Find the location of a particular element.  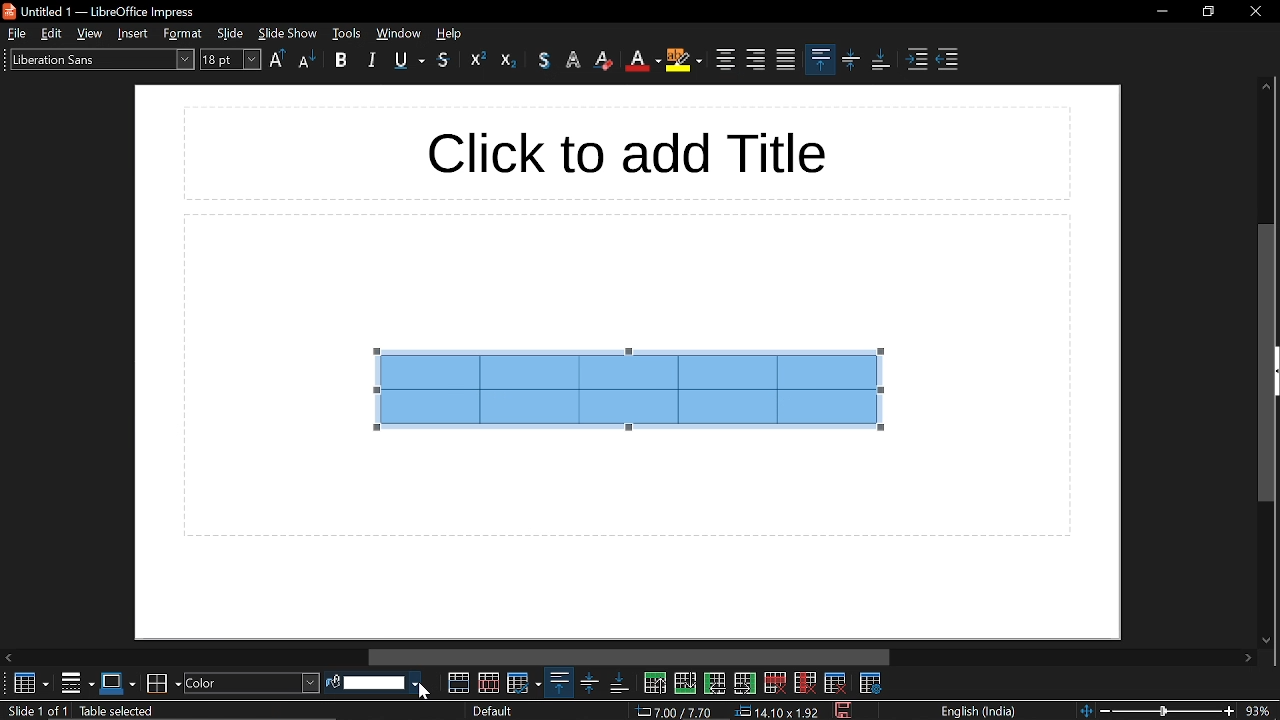

language is located at coordinates (974, 710).